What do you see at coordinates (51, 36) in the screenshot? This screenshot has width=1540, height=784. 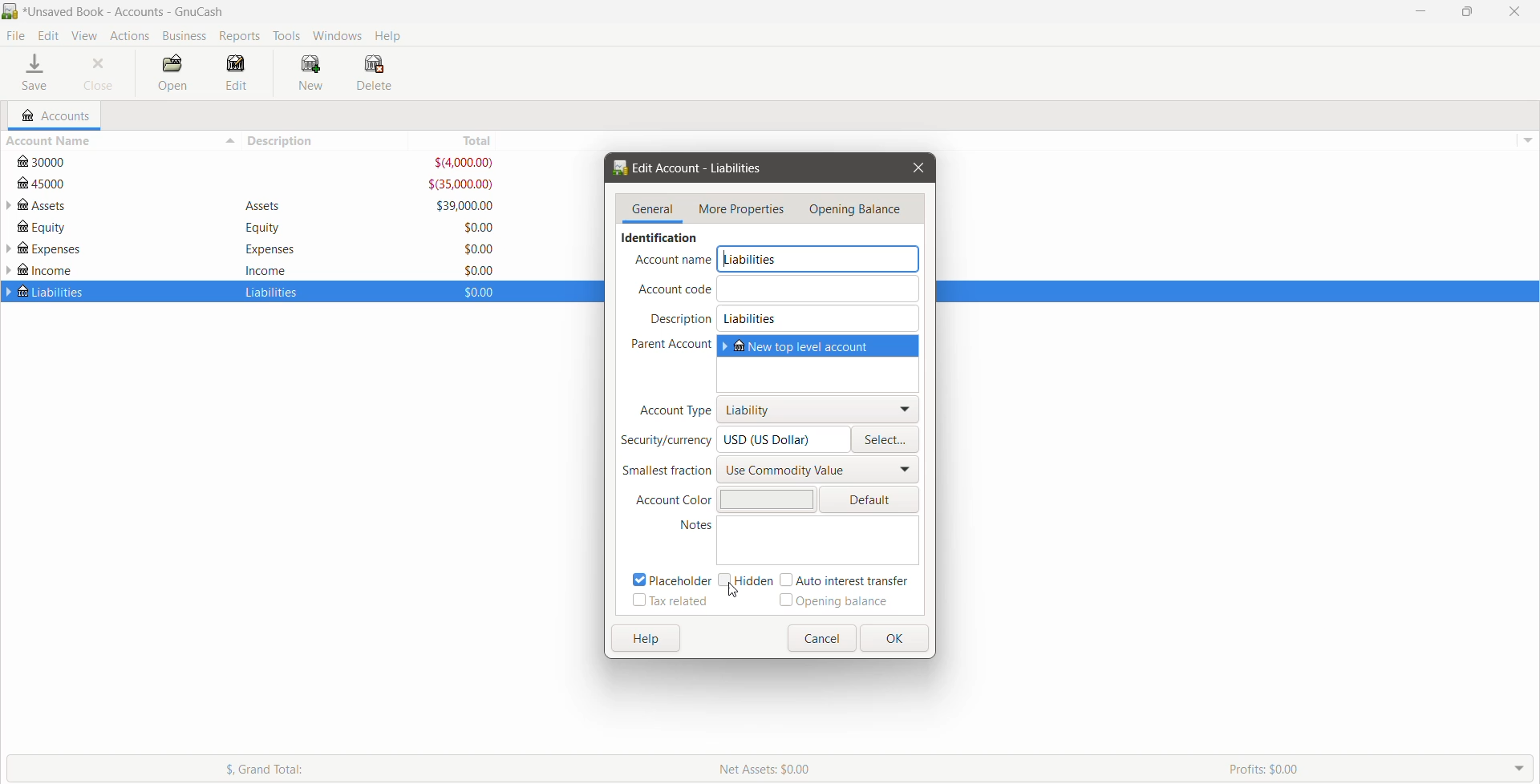 I see `Edit` at bounding box center [51, 36].